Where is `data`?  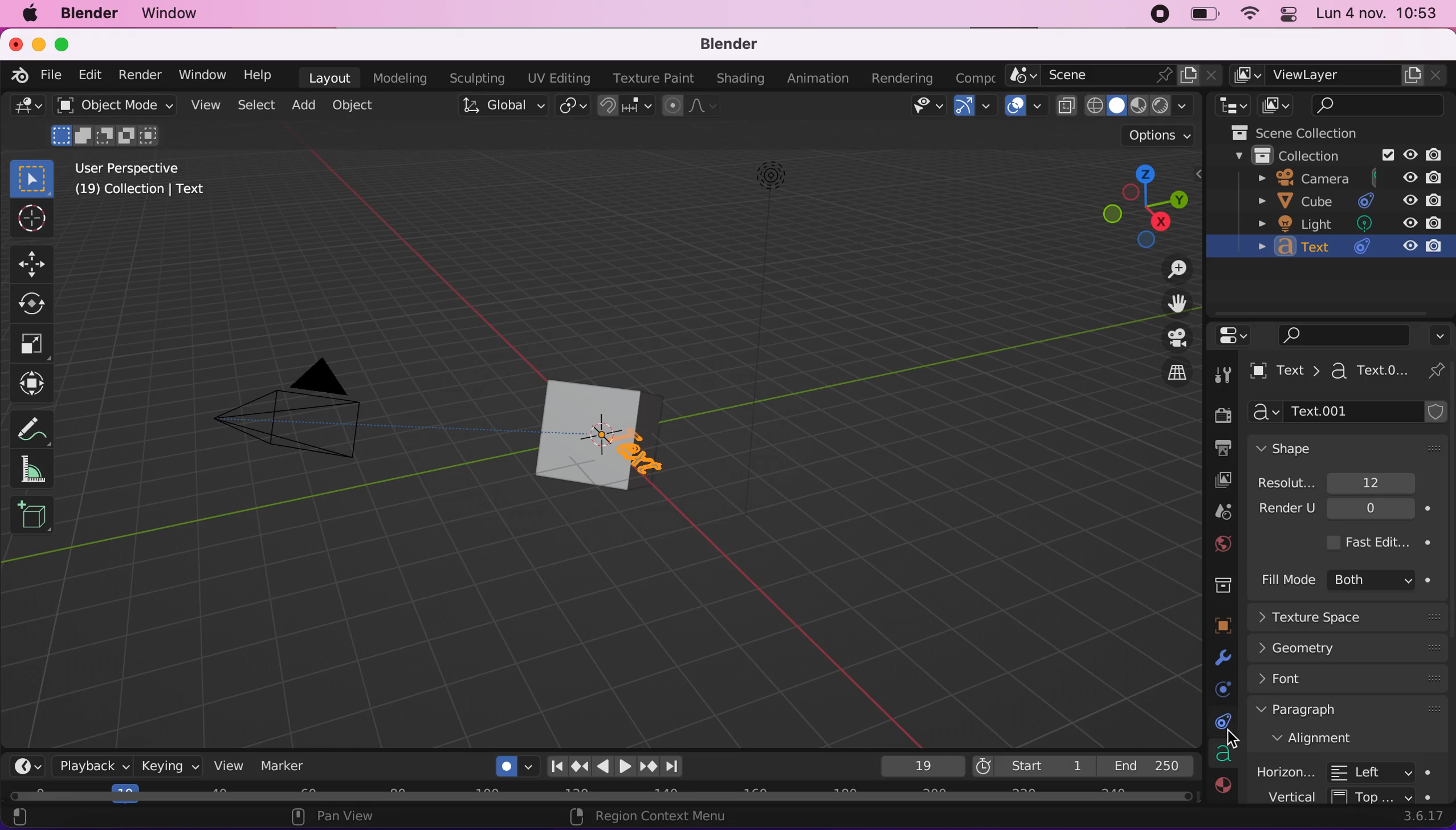 data is located at coordinates (1222, 755).